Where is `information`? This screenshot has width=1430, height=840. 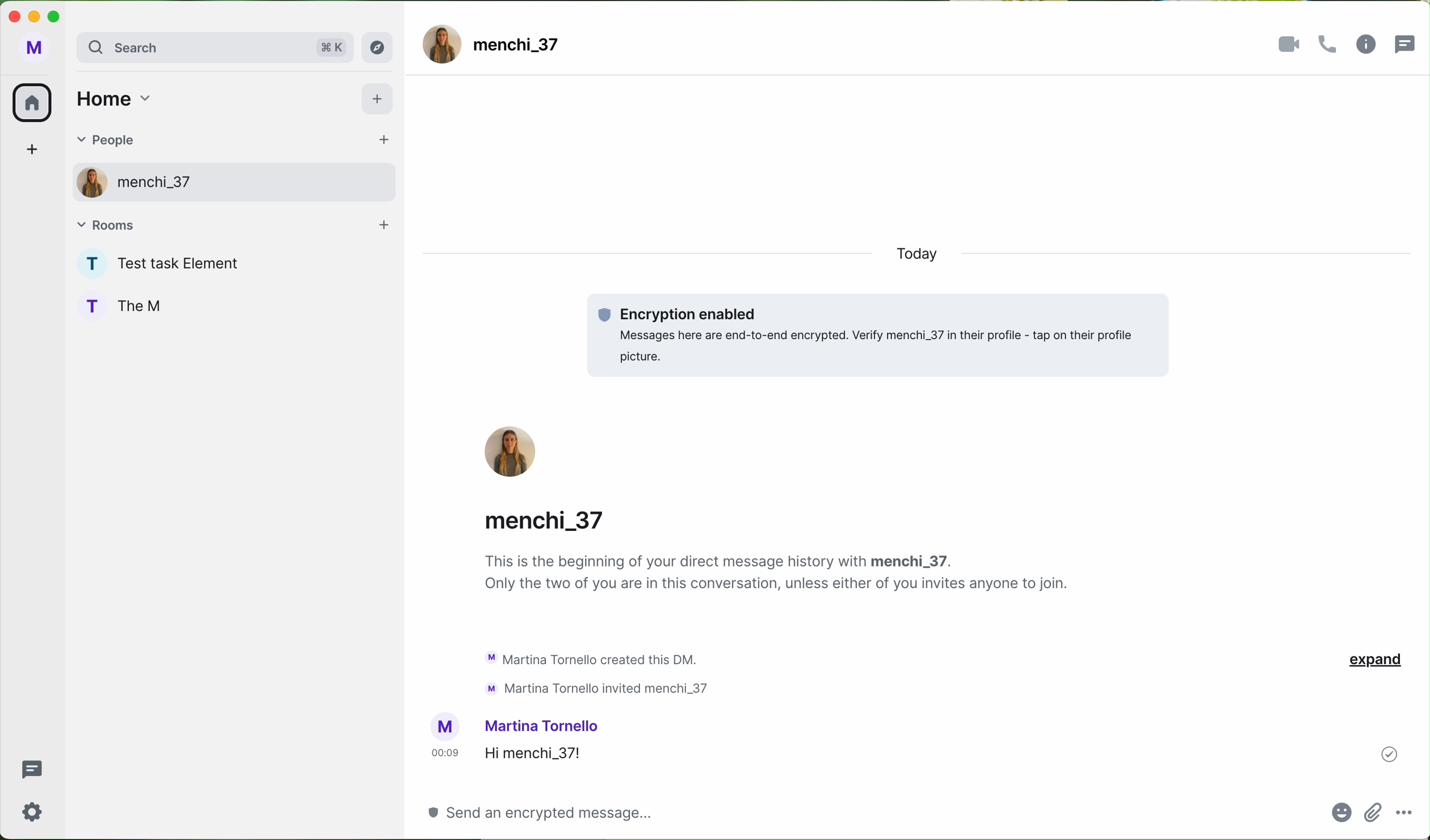 information is located at coordinates (1366, 45).